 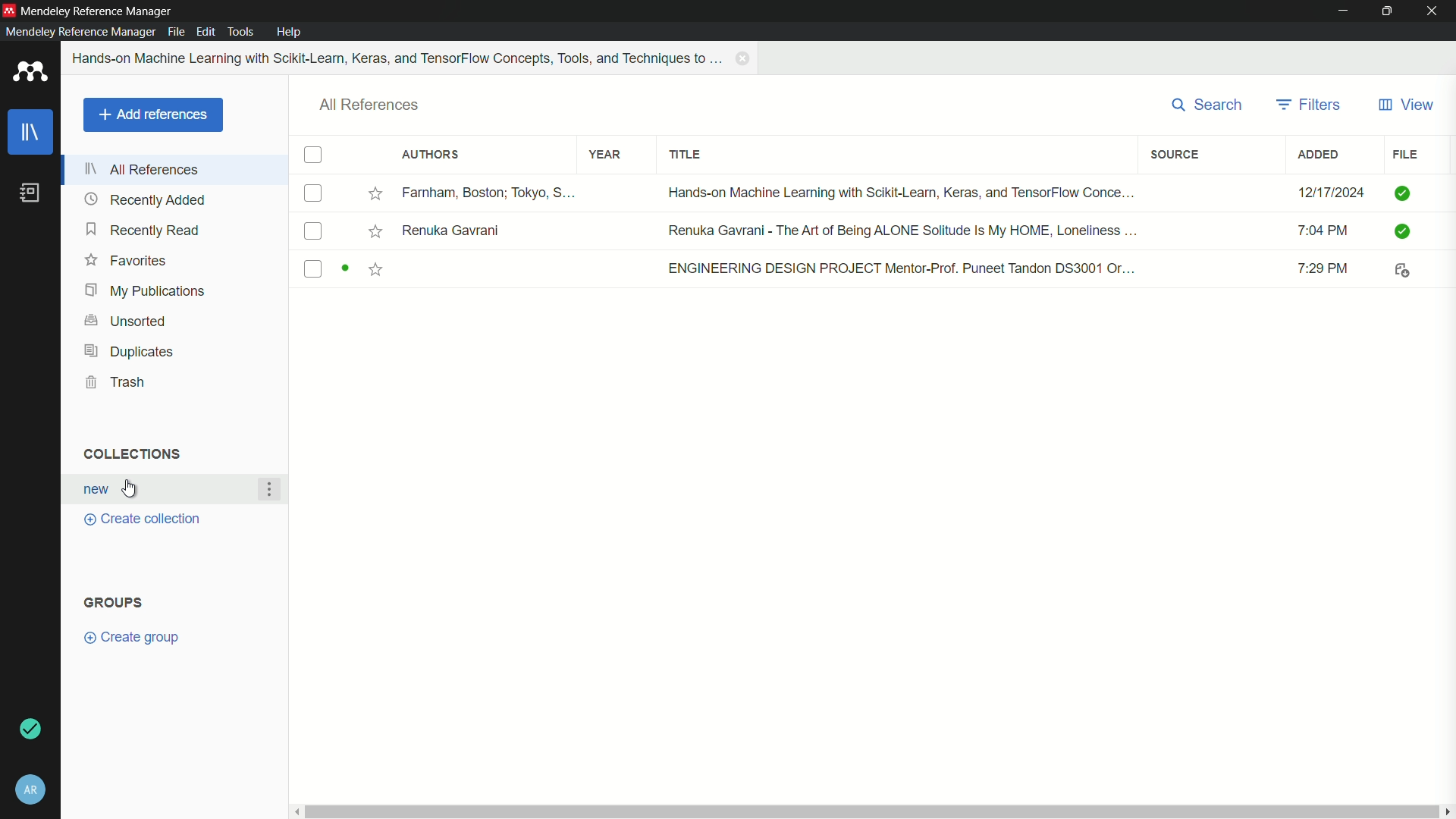 What do you see at coordinates (30, 74) in the screenshot?
I see `app icon` at bounding box center [30, 74].